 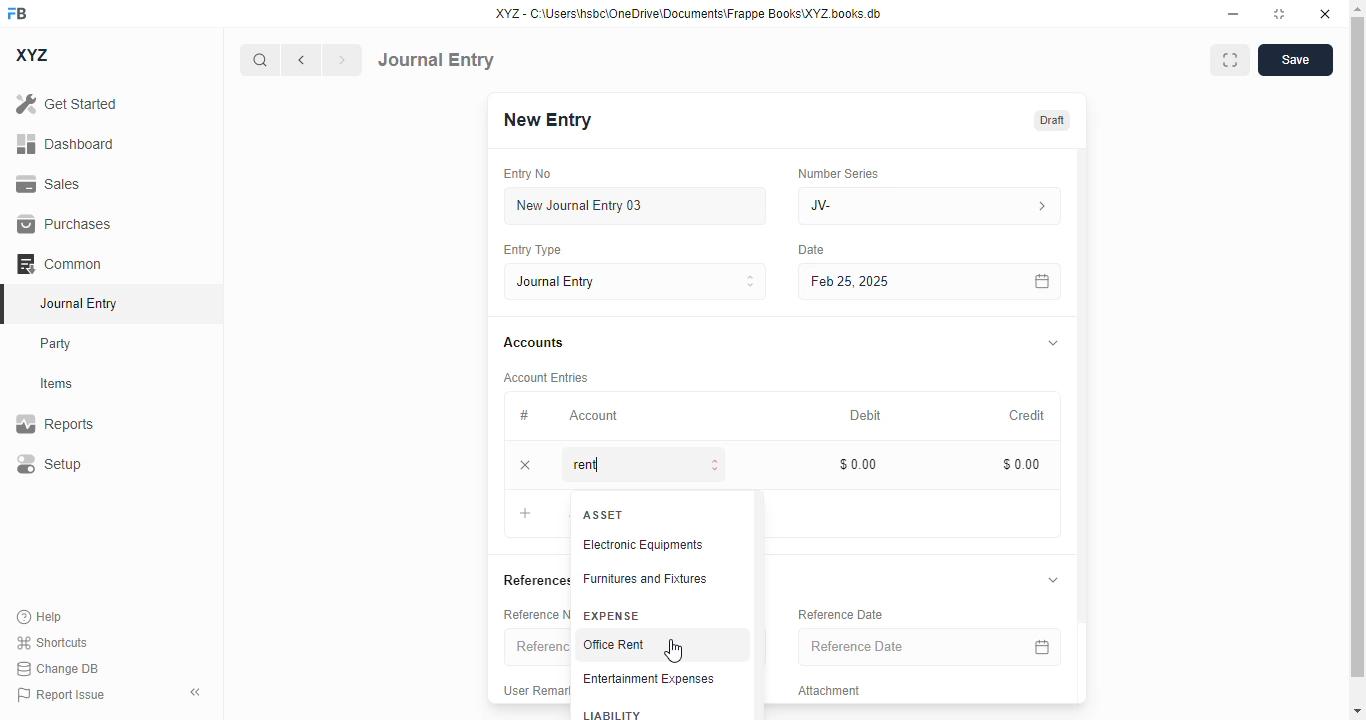 What do you see at coordinates (536, 249) in the screenshot?
I see `entry type` at bounding box center [536, 249].